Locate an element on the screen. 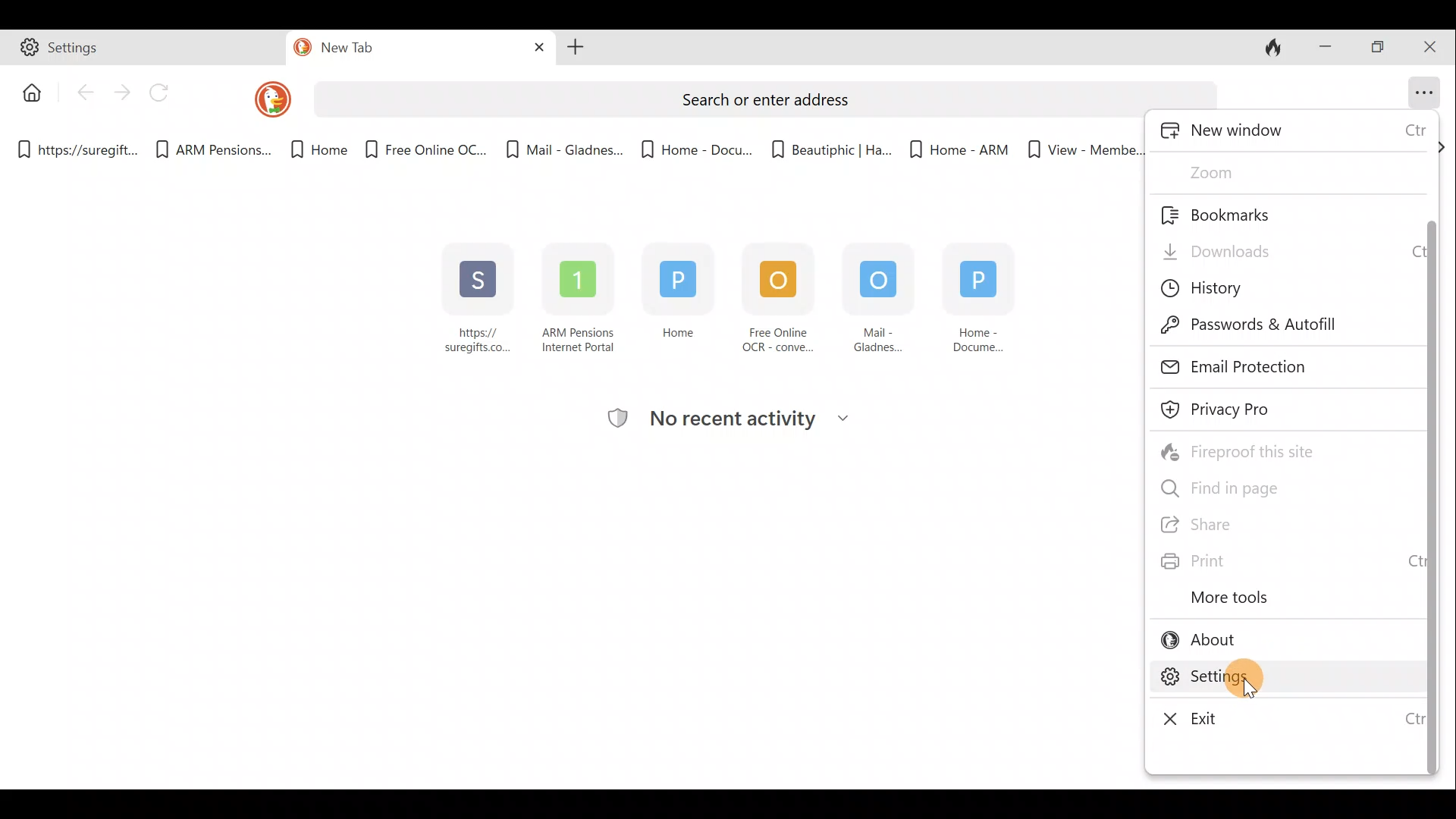  Bookmark 2 is located at coordinates (215, 147).